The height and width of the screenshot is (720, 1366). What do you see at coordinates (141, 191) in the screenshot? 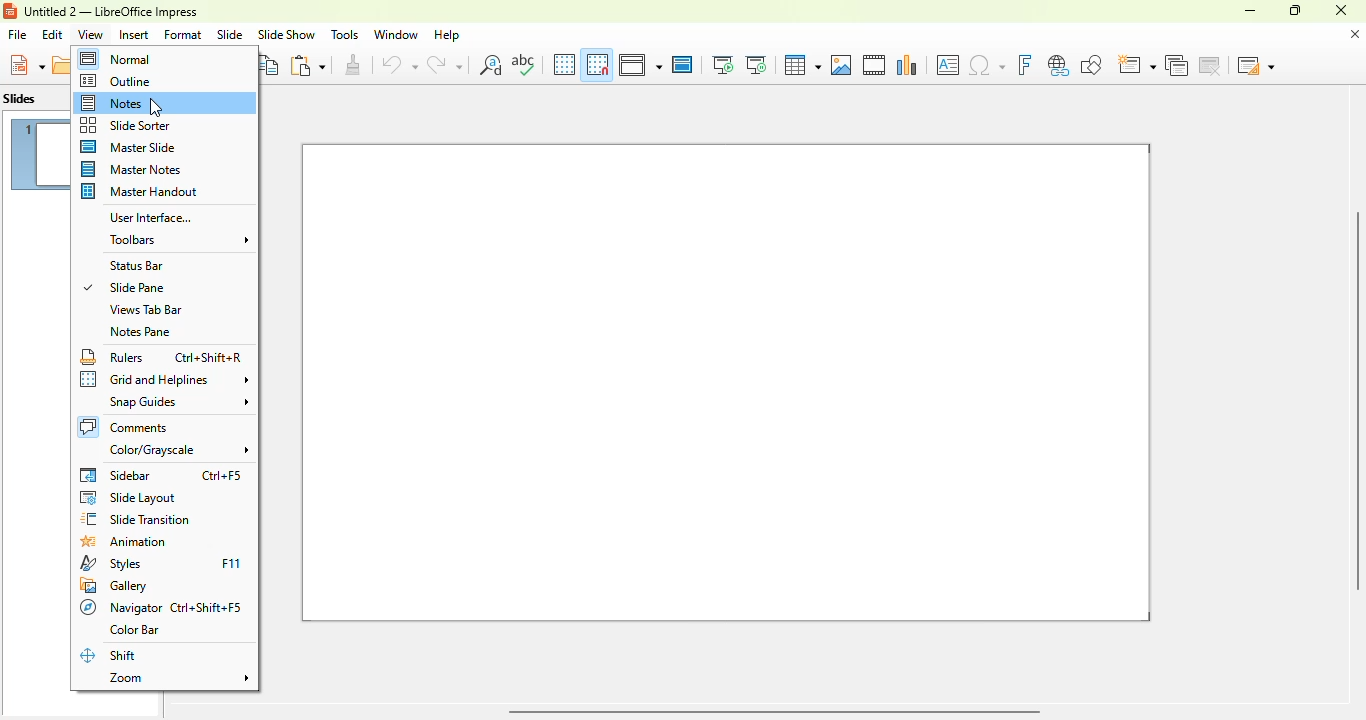
I see `master handout` at bounding box center [141, 191].